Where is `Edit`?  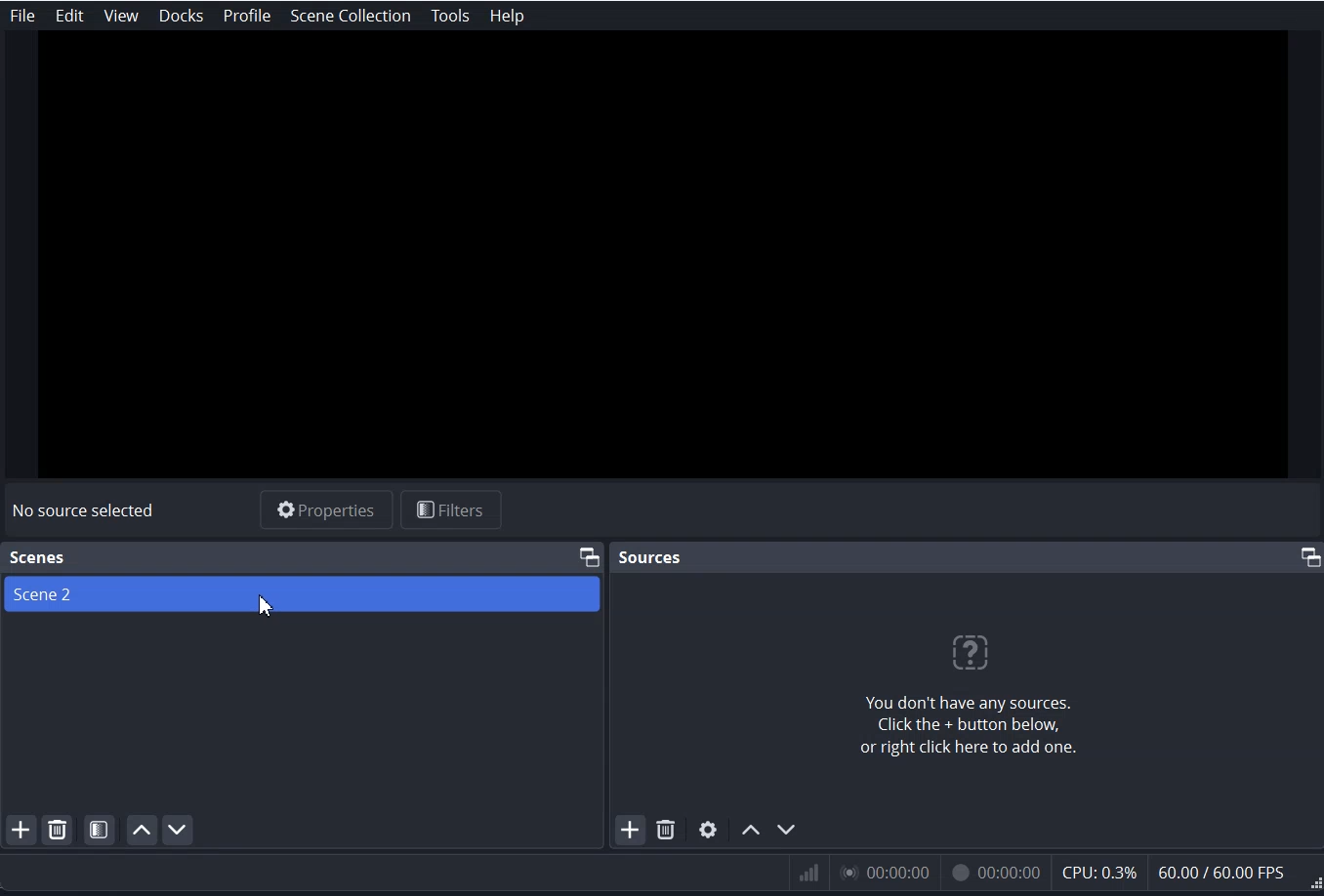
Edit is located at coordinates (69, 17).